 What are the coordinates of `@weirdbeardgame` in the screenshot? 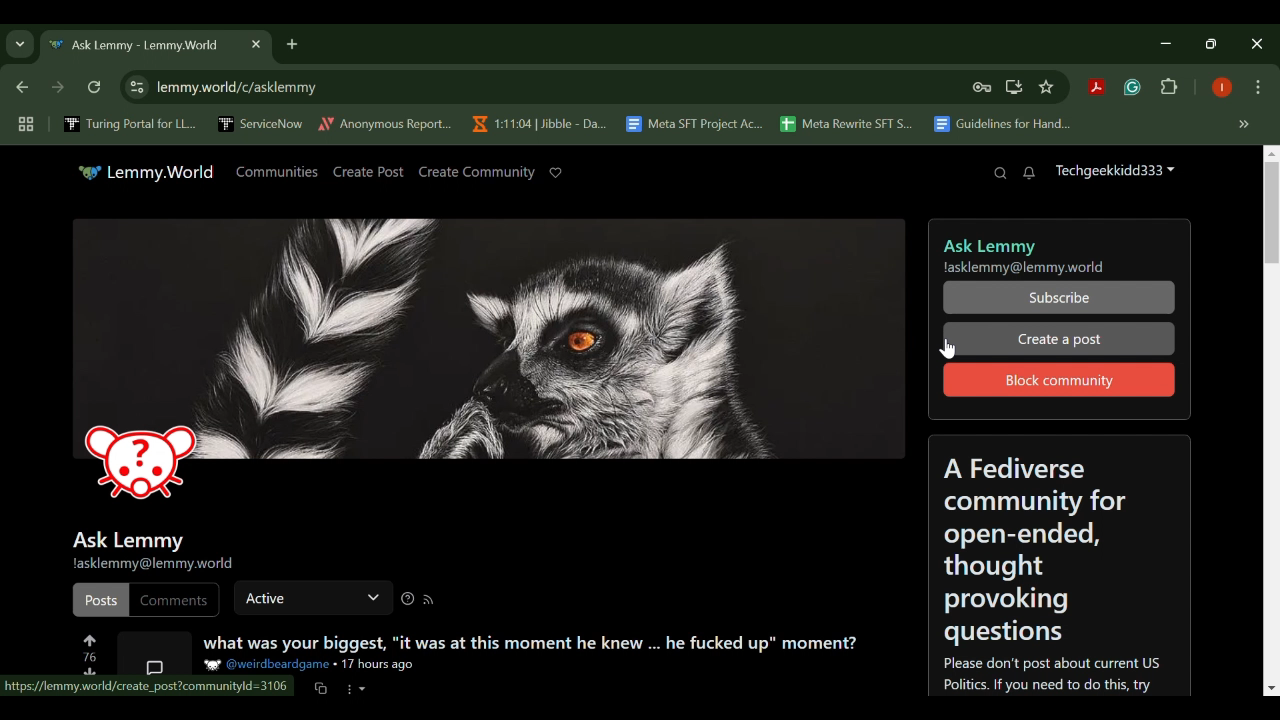 It's located at (268, 665).